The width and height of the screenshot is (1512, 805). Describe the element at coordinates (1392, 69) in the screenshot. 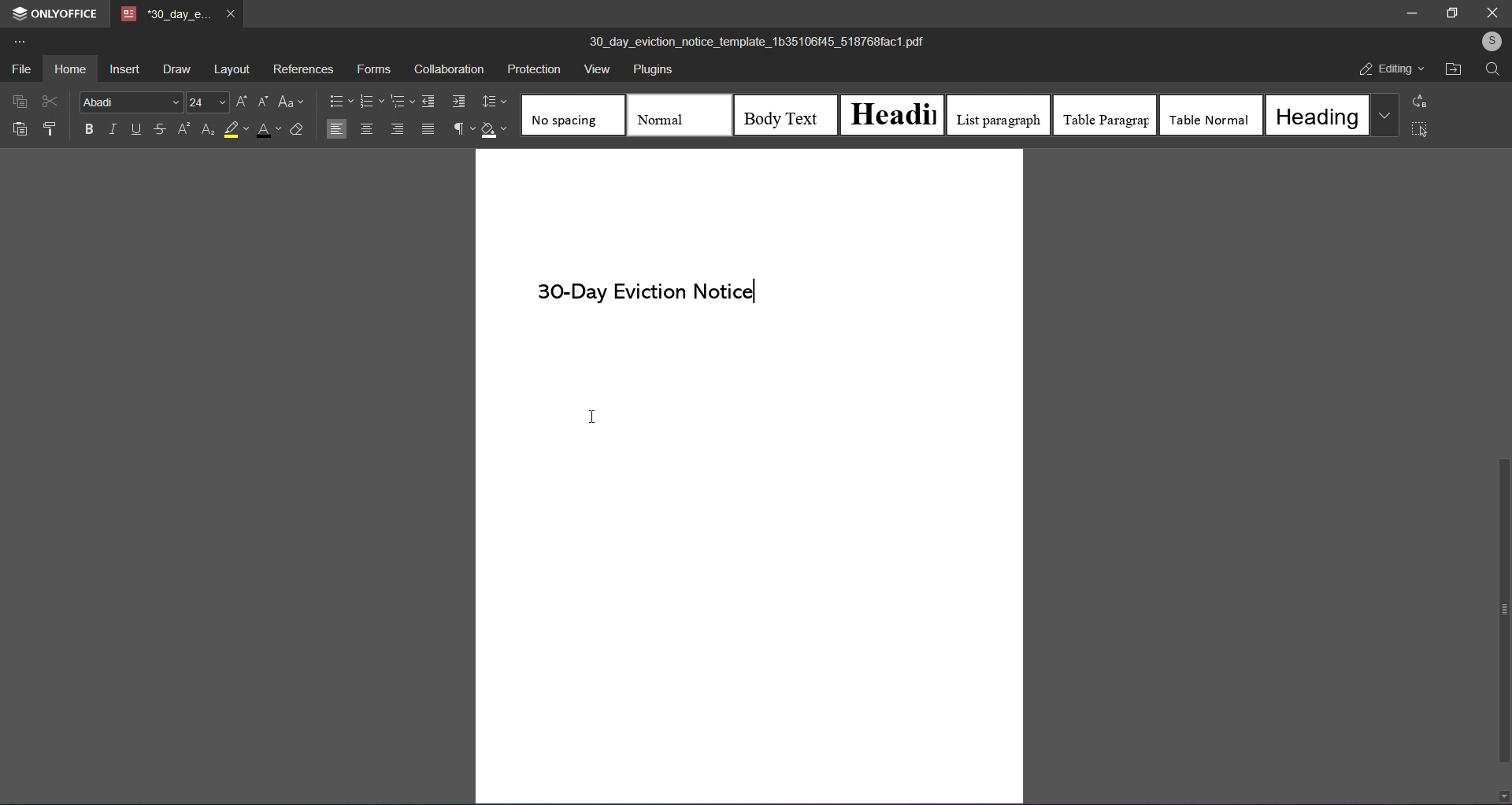

I see `editing` at that location.